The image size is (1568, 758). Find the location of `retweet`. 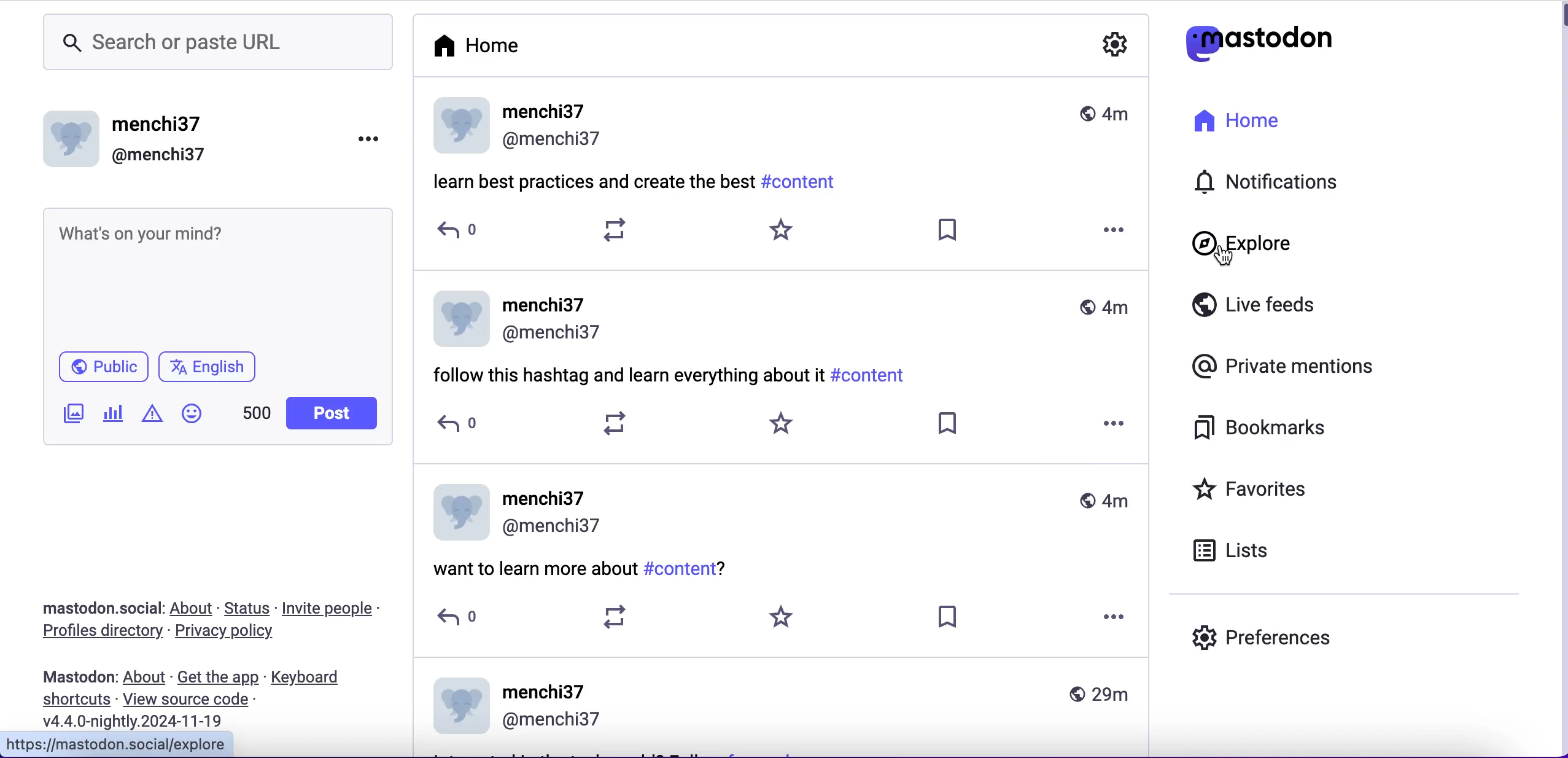

retweet is located at coordinates (618, 617).